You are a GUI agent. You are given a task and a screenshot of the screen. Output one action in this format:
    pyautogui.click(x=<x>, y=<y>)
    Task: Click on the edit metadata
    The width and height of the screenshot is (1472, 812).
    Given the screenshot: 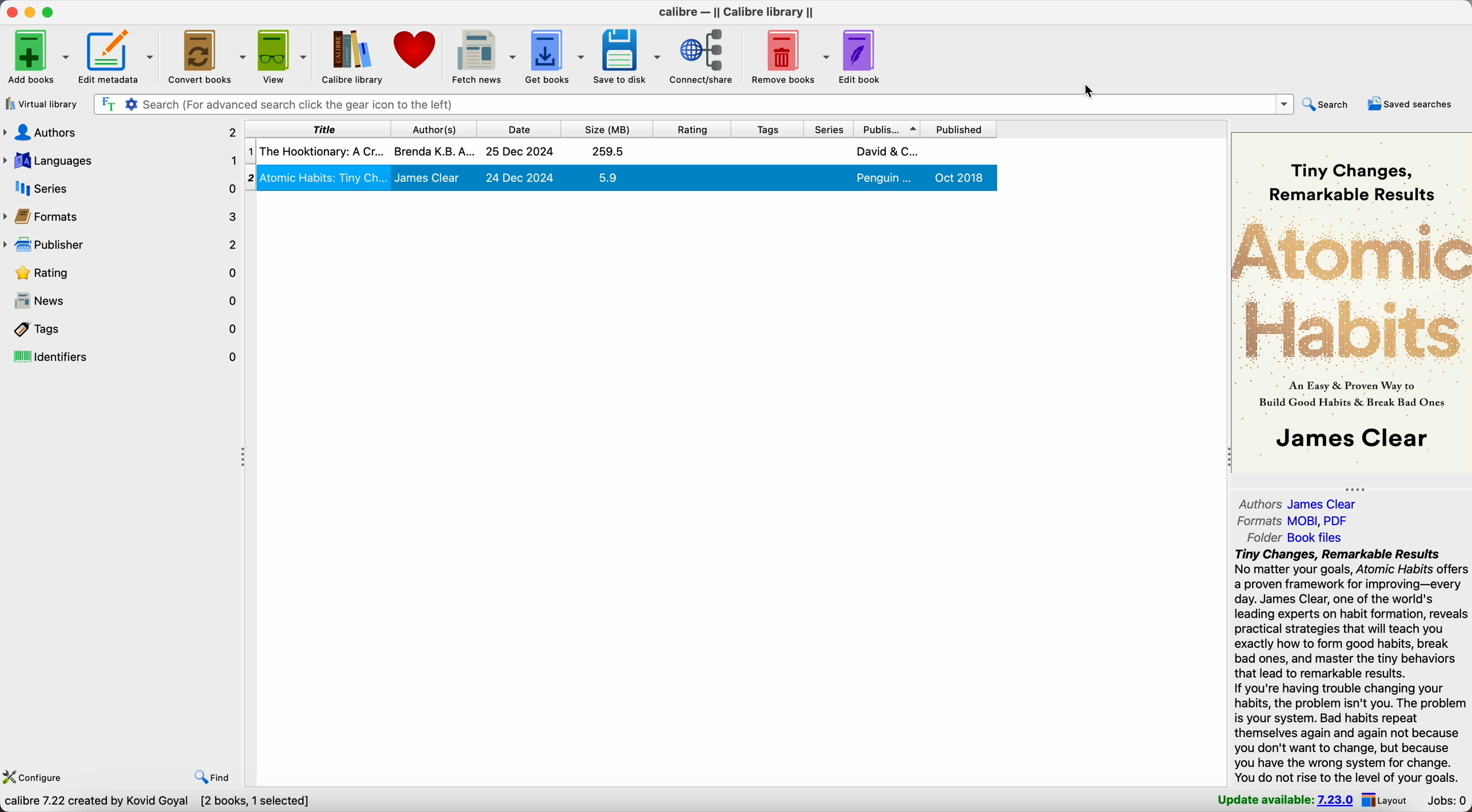 What is the action you would take?
    pyautogui.click(x=119, y=58)
    